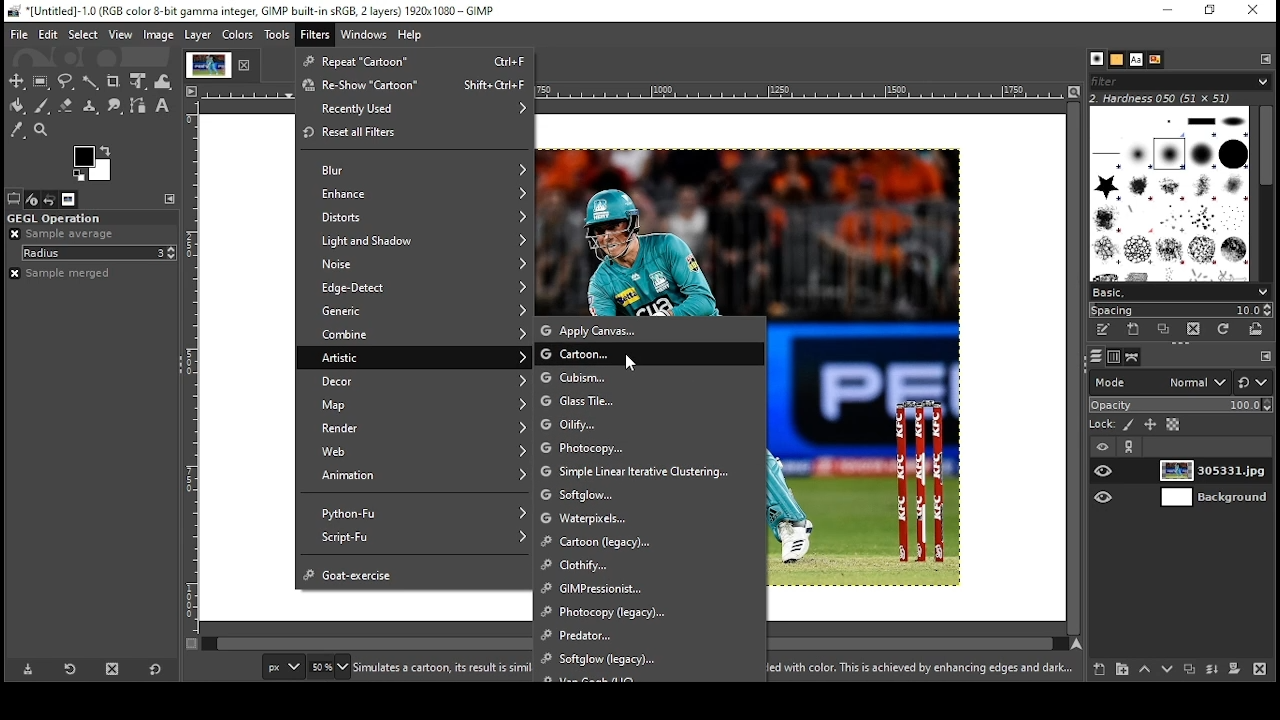 This screenshot has height=720, width=1280. What do you see at coordinates (1118, 60) in the screenshot?
I see `patterns` at bounding box center [1118, 60].